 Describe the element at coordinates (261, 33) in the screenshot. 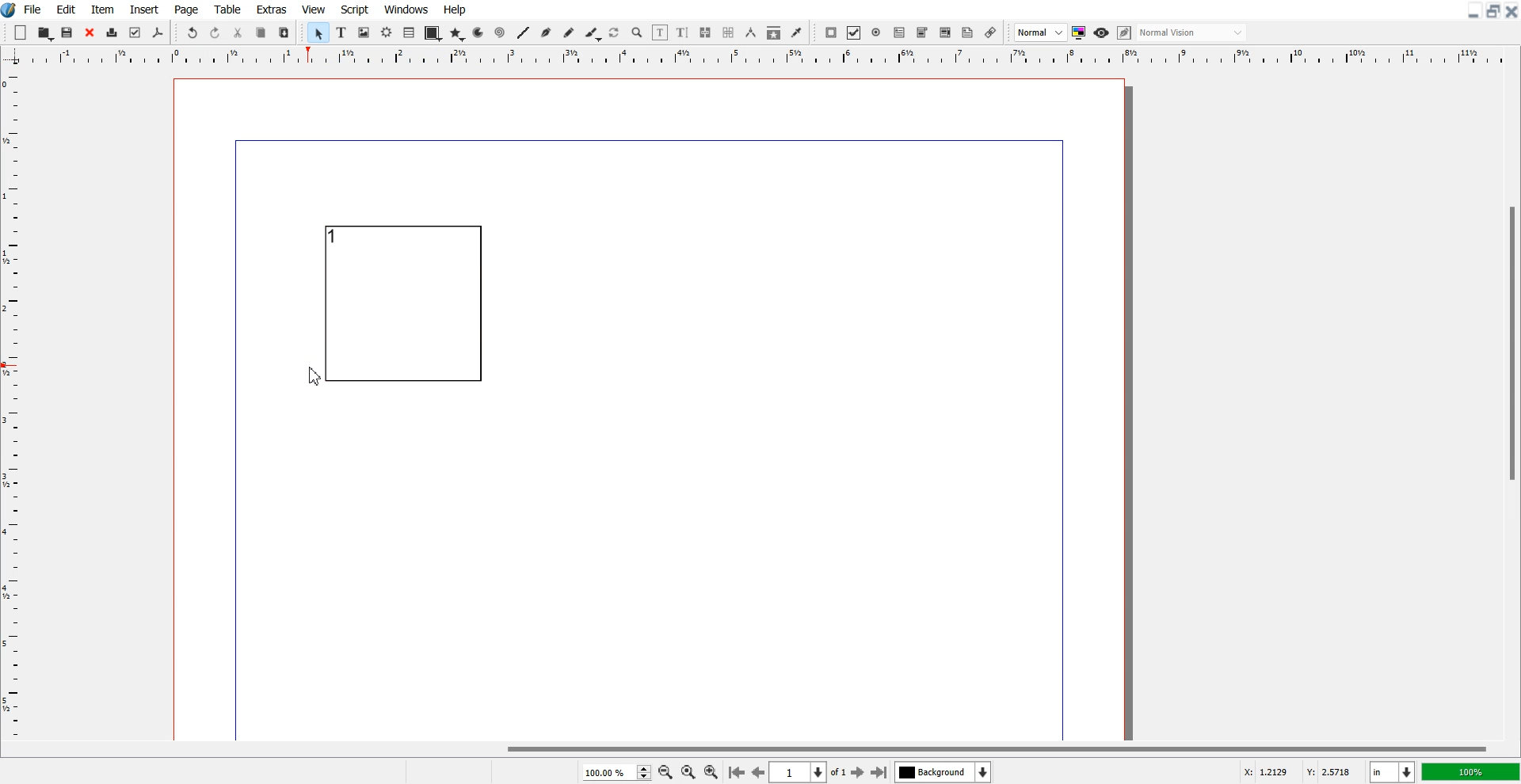

I see `Copy ` at that location.